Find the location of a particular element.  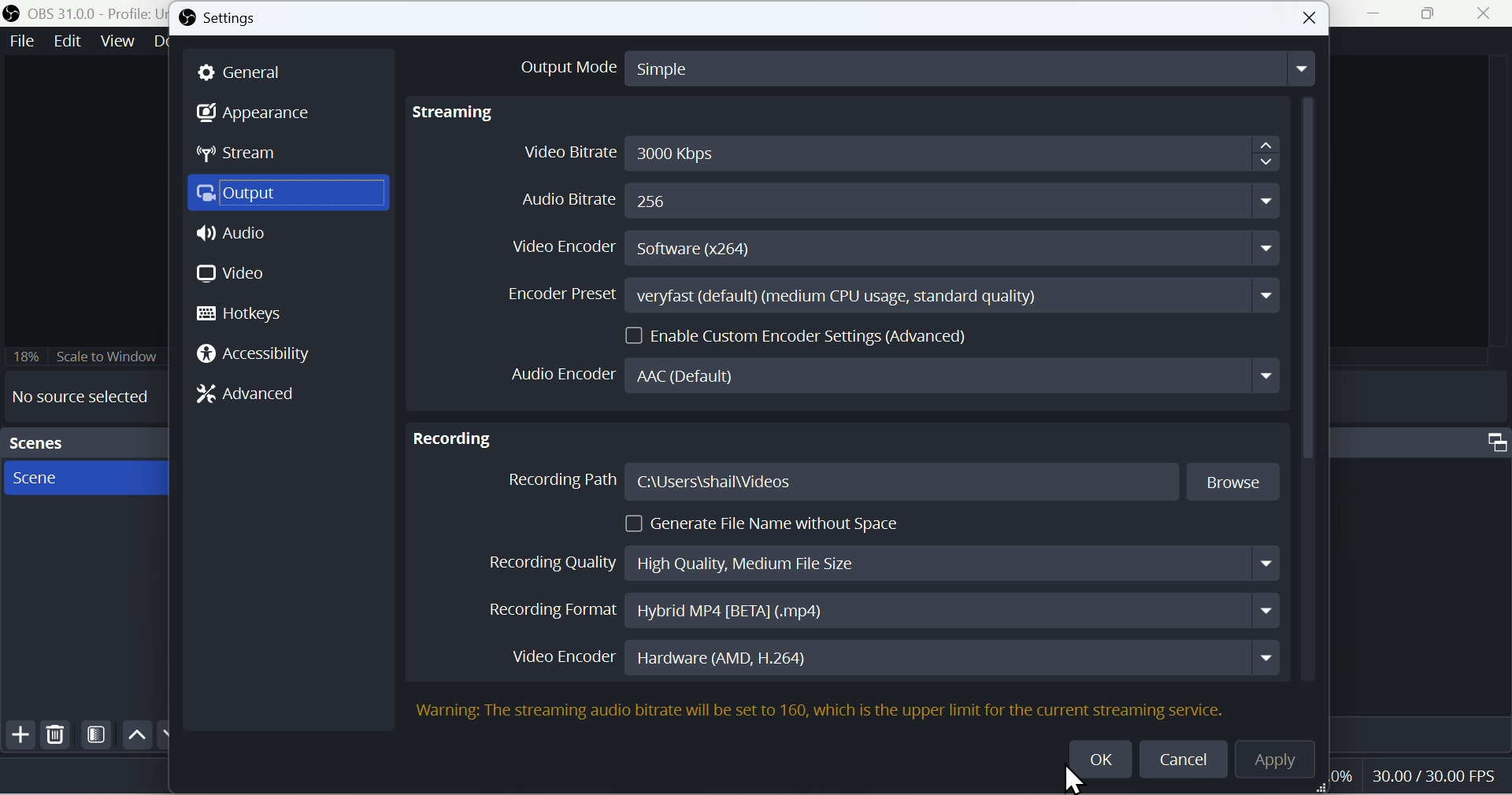

0% is located at coordinates (1340, 776).